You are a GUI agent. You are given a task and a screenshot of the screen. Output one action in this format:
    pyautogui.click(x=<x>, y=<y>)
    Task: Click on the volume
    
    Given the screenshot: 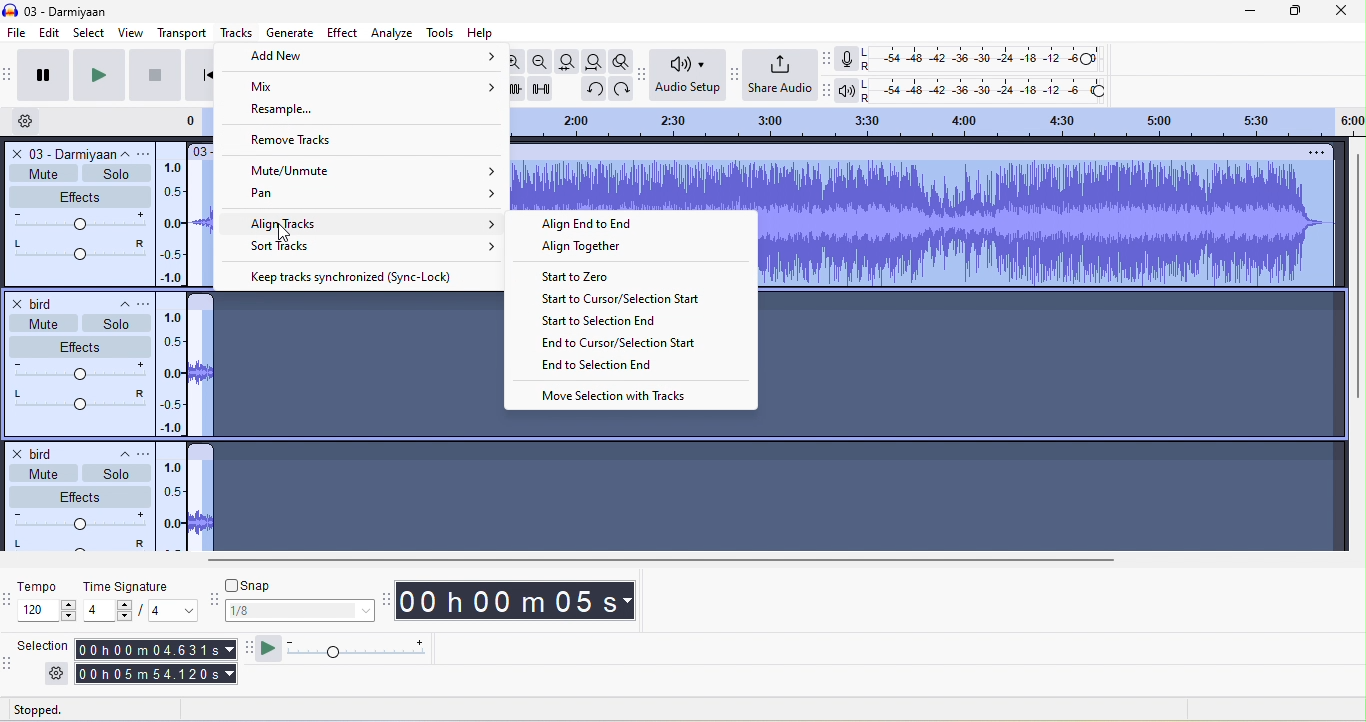 What is the action you would take?
    pyautogui.click(x=78, y=519)
    